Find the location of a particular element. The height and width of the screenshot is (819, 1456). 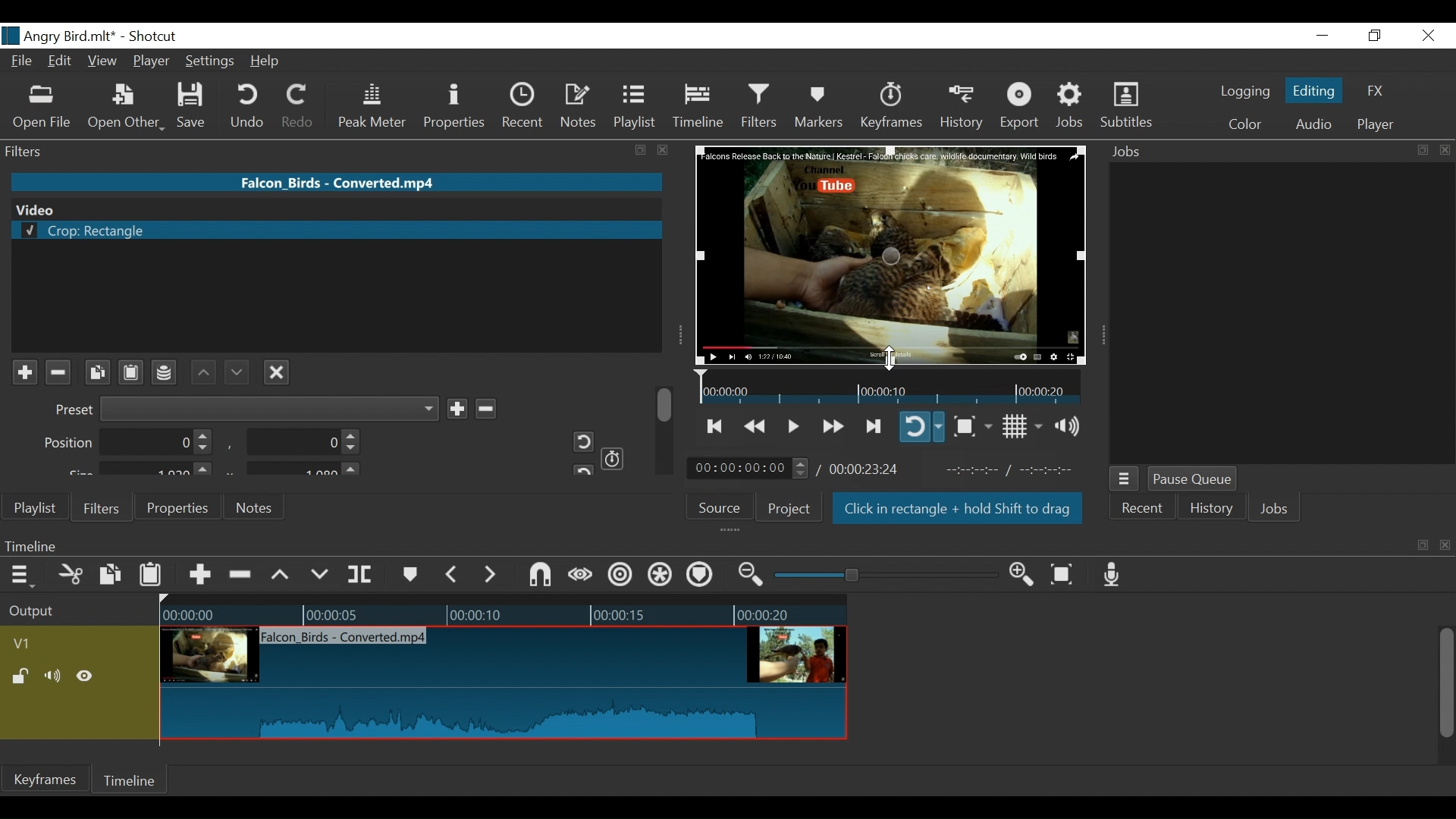

Play backward quickly is located at coordinates (757, 427).